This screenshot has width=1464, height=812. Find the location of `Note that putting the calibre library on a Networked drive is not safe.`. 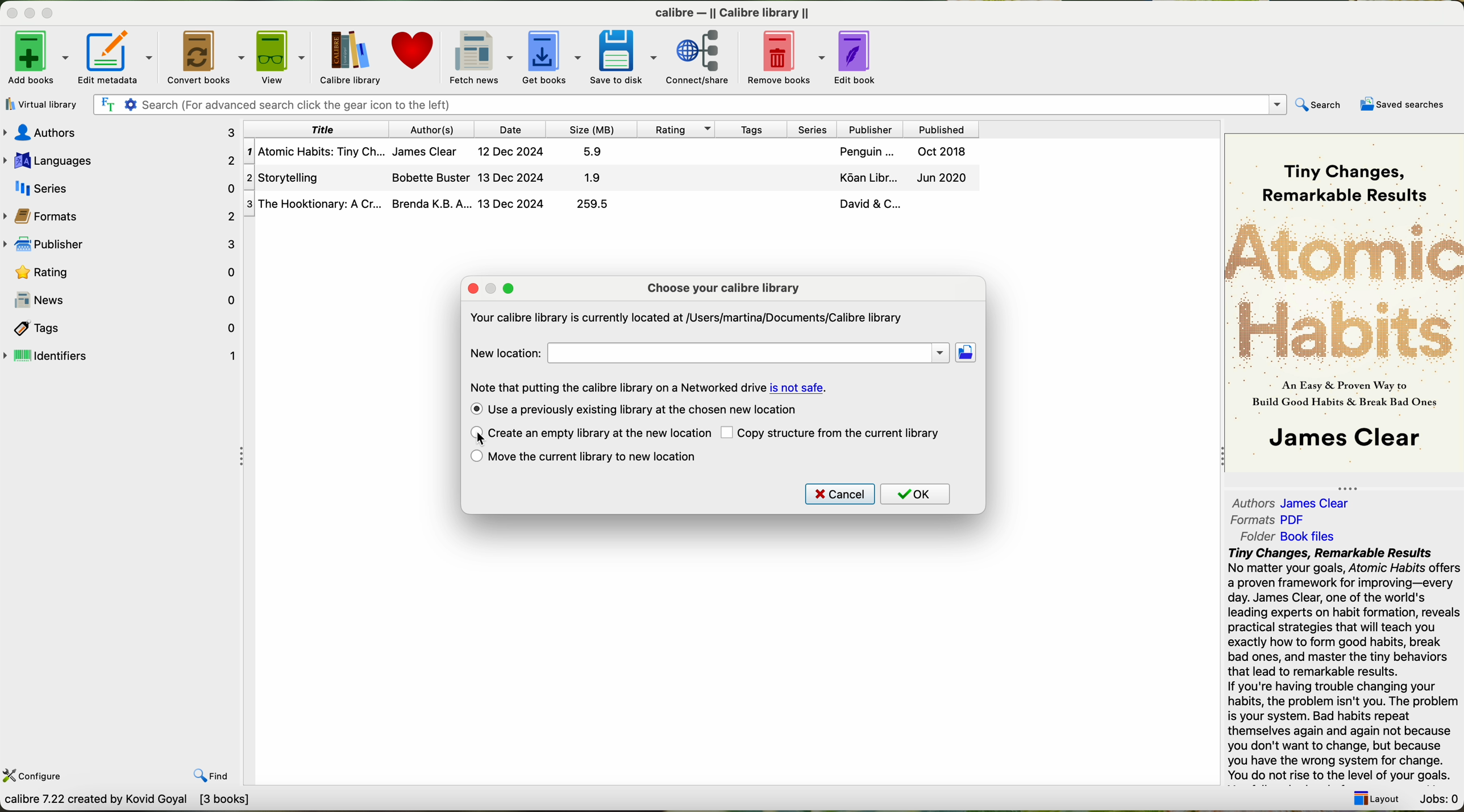

Note that putting the calibre library on a Networked drive is not safe. is located at coordinates (650, 386).